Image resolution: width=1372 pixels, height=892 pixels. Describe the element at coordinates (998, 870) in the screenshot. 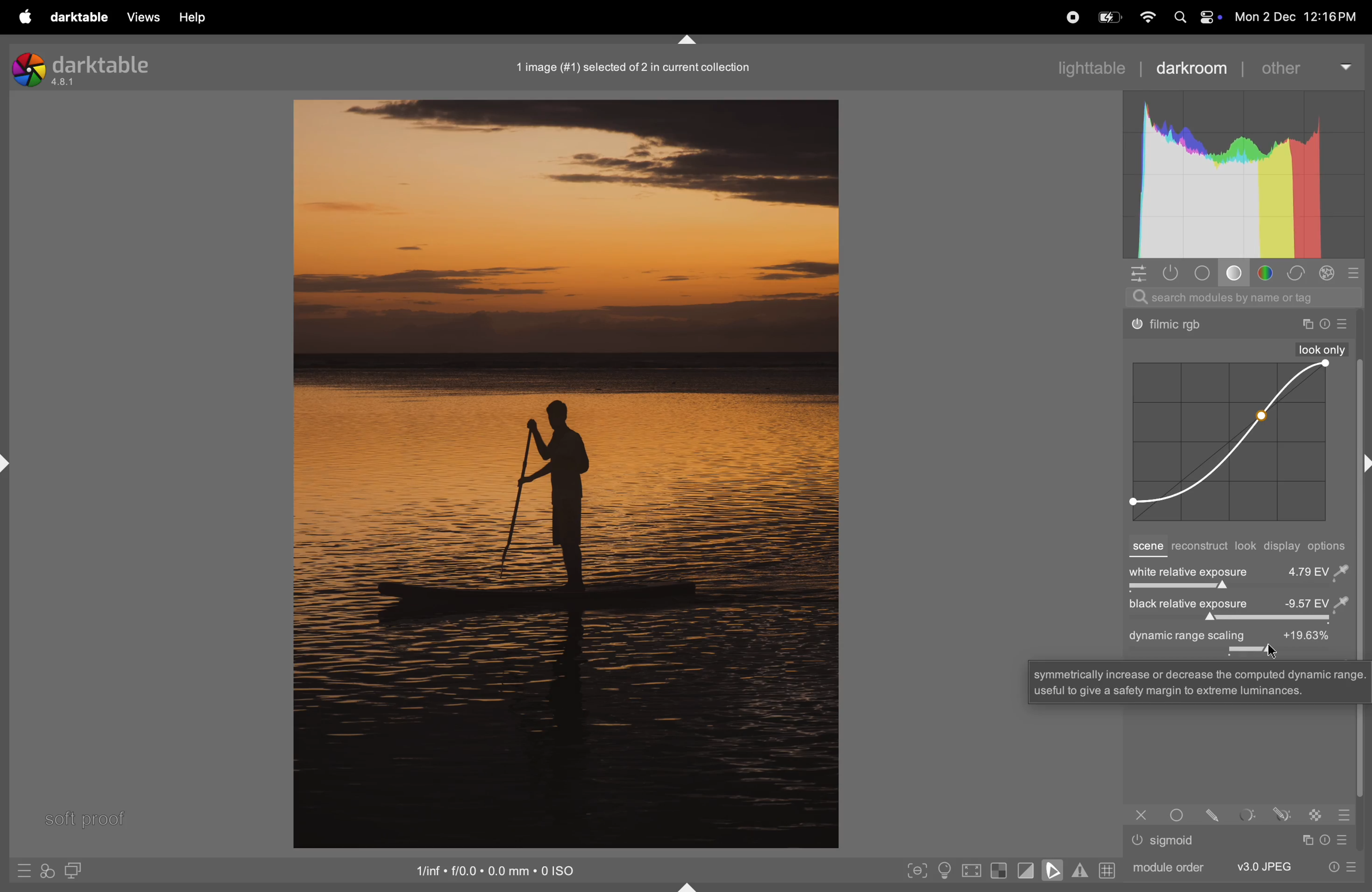

I see `toggle indications of raw exposure` at that location.